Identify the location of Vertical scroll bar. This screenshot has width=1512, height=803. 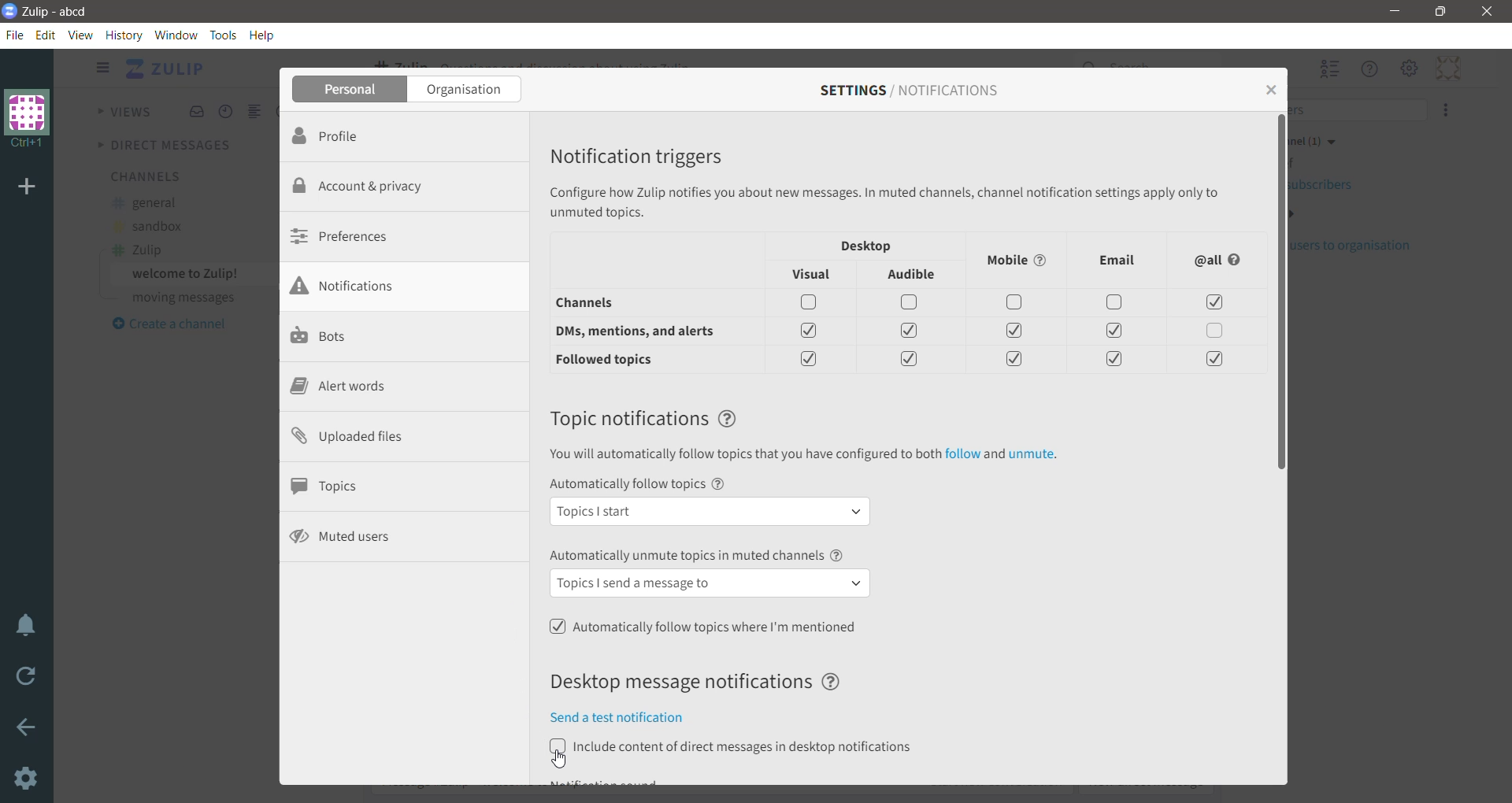
(1280, 448).